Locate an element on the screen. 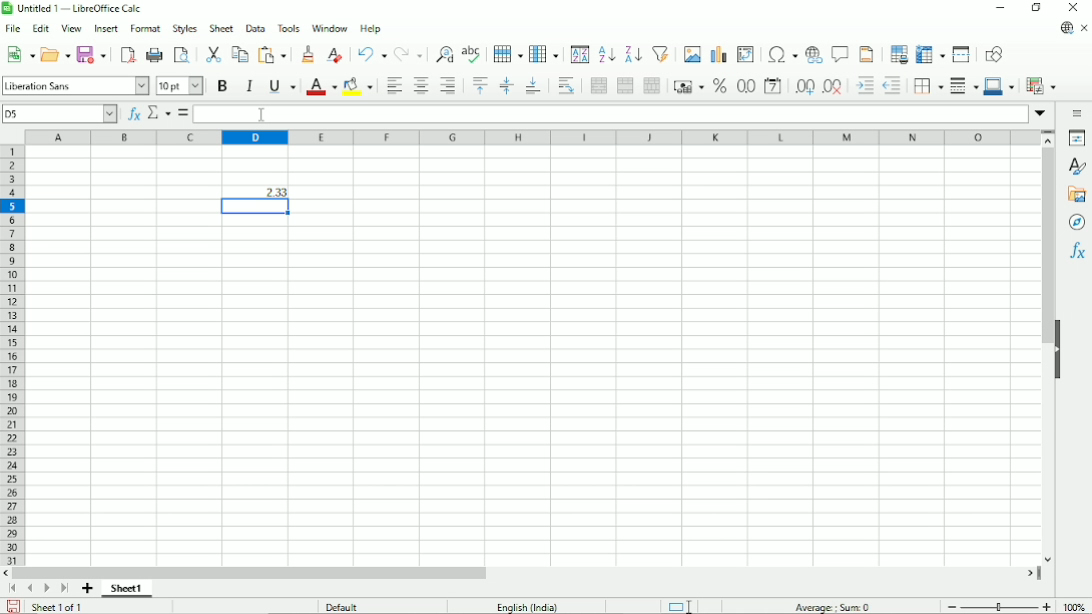  Split window is located at coordinates (961, 54).